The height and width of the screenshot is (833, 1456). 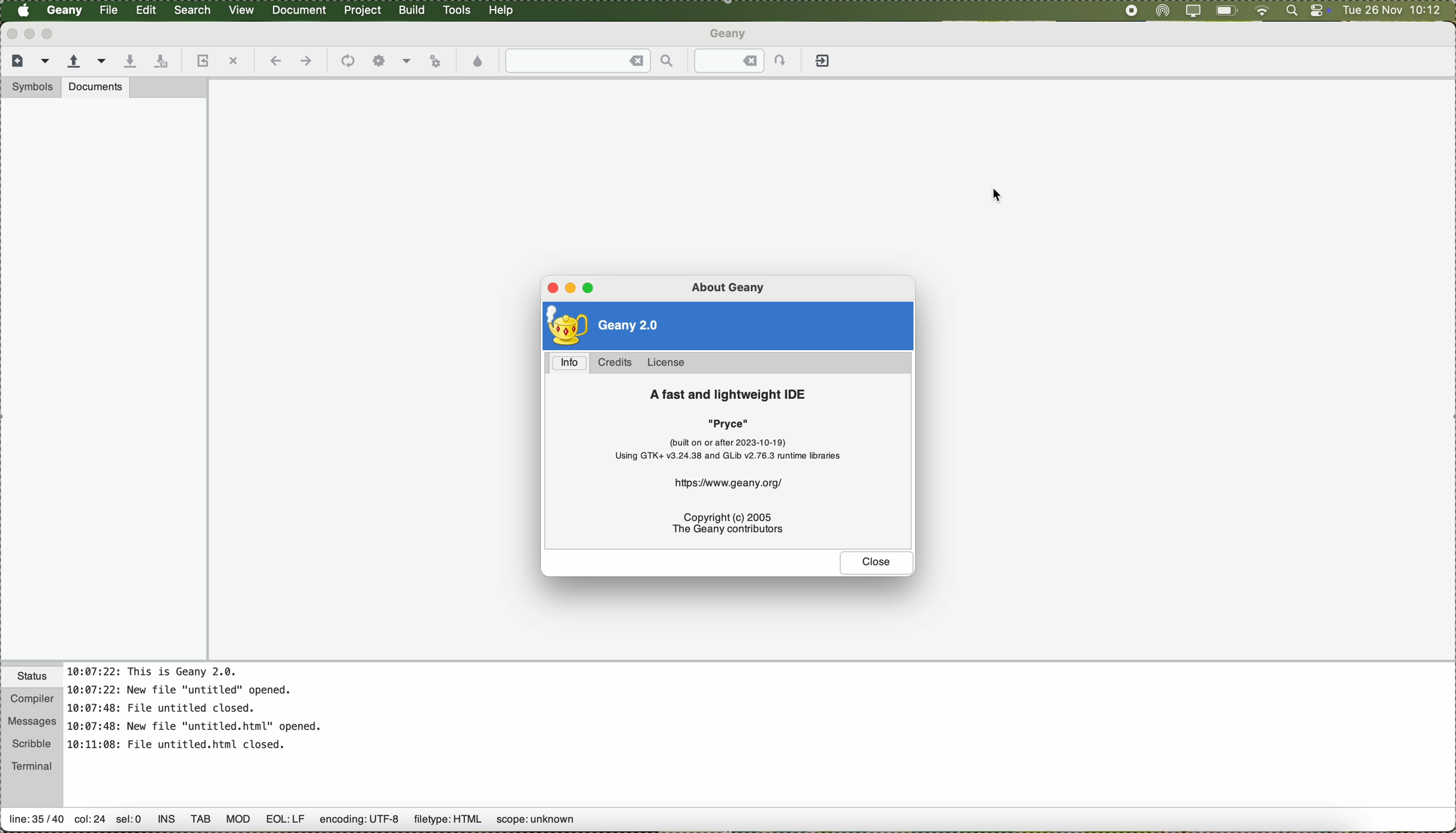 I want to click on build, so click(x=415, y=11).